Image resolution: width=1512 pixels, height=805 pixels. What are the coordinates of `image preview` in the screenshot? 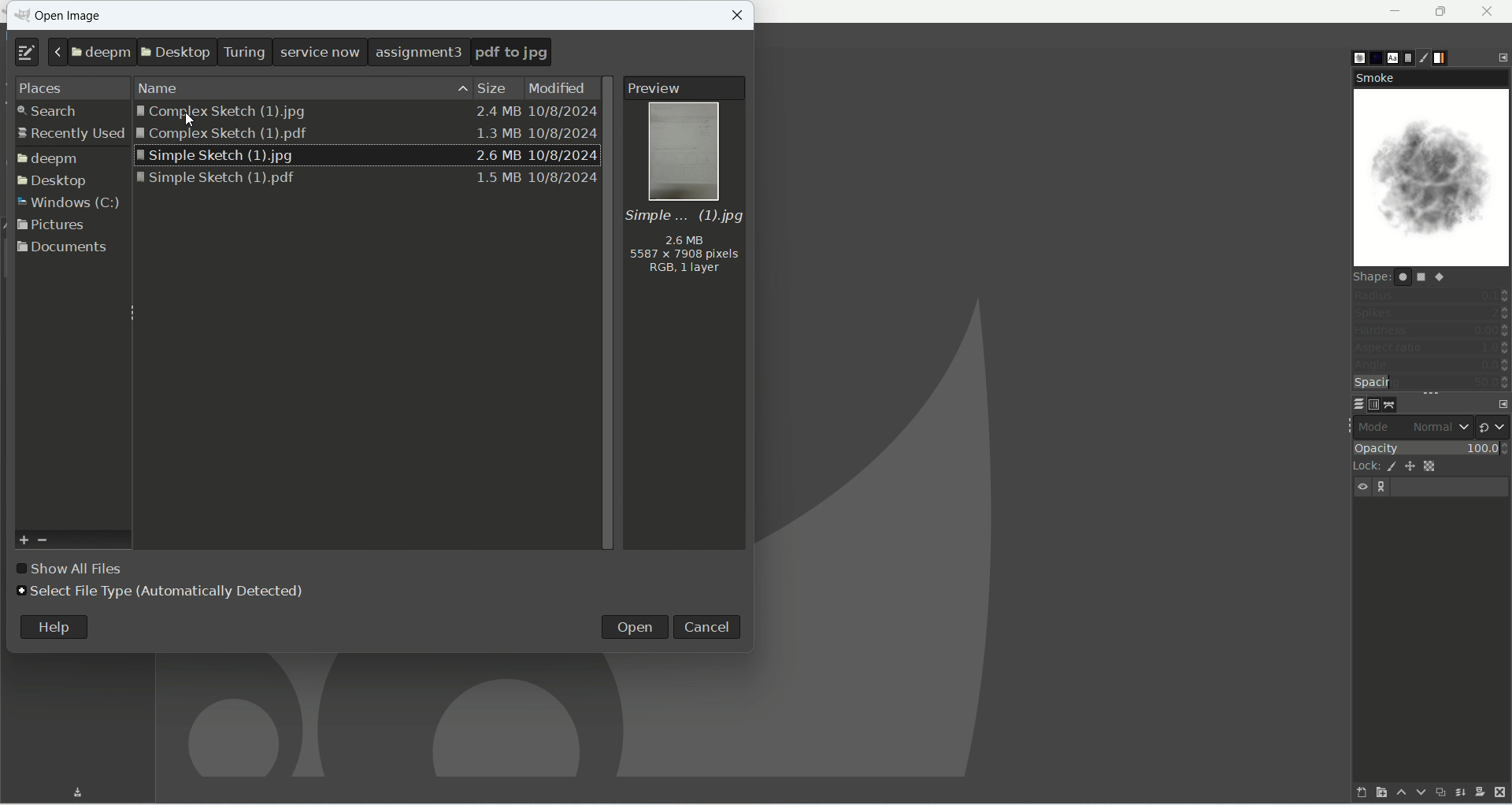 It's located at (682, 153).